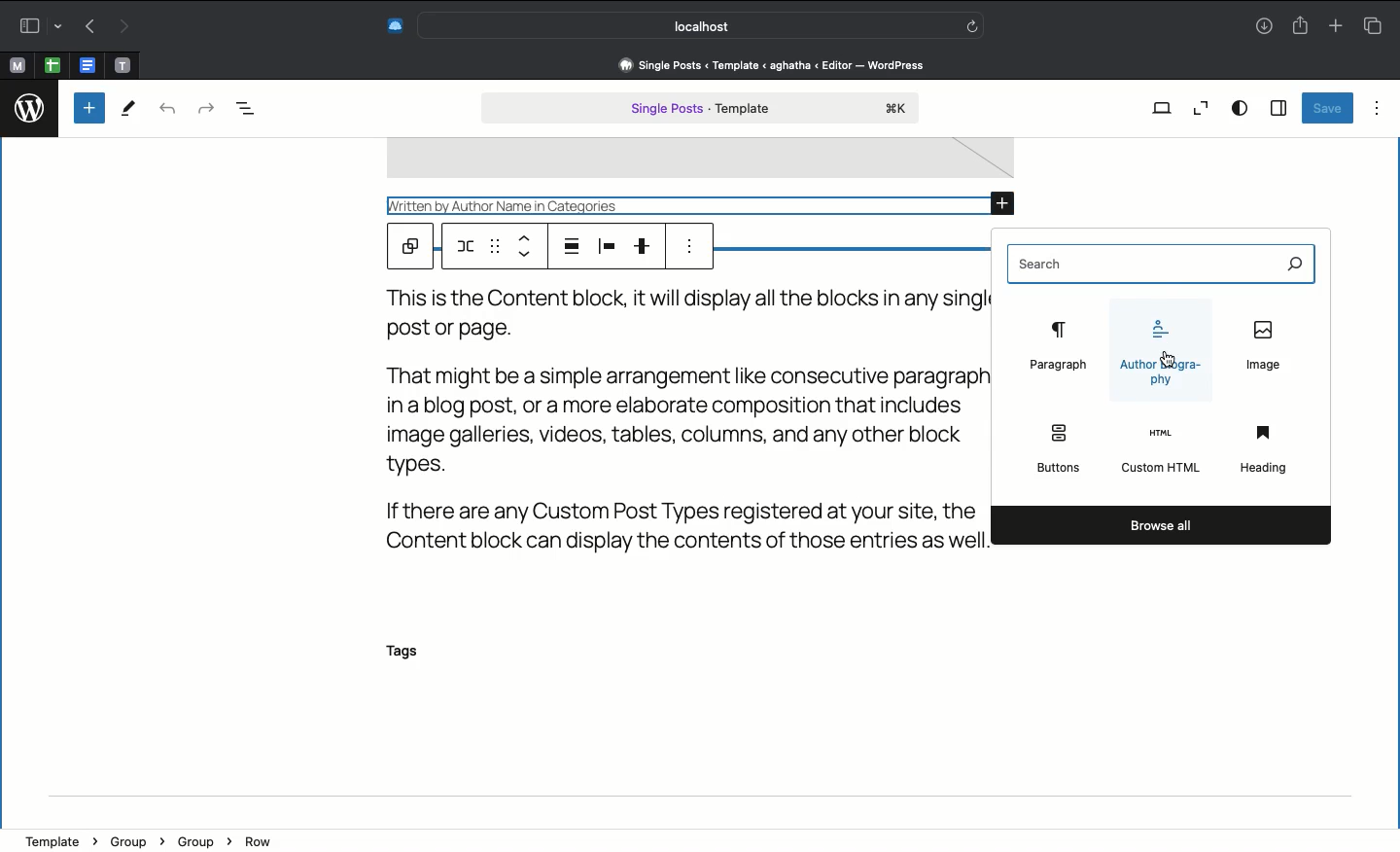 This screenshot has width=1400, height=852. Describe the element at coordinates (1277, 109) in the screenshot. I see `Sidebar` at that location.